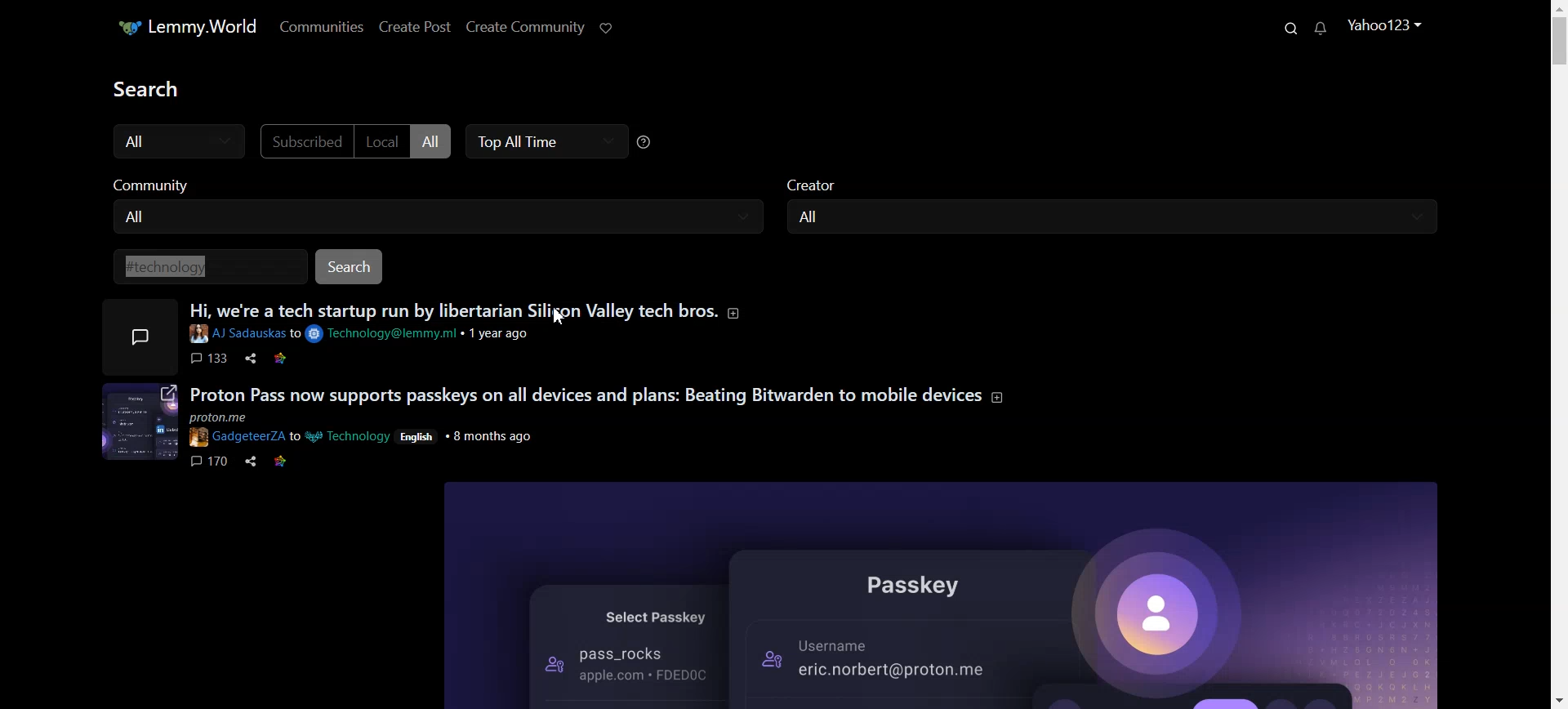 This screenshot has height=709, width=1568. What do you see at coordinates (584, 395) in the screenshot?
I see `Proton pass now supports passkey on all devices and plans: Beating bitwarden to mobile devices.` at bounding box center [584, 395].